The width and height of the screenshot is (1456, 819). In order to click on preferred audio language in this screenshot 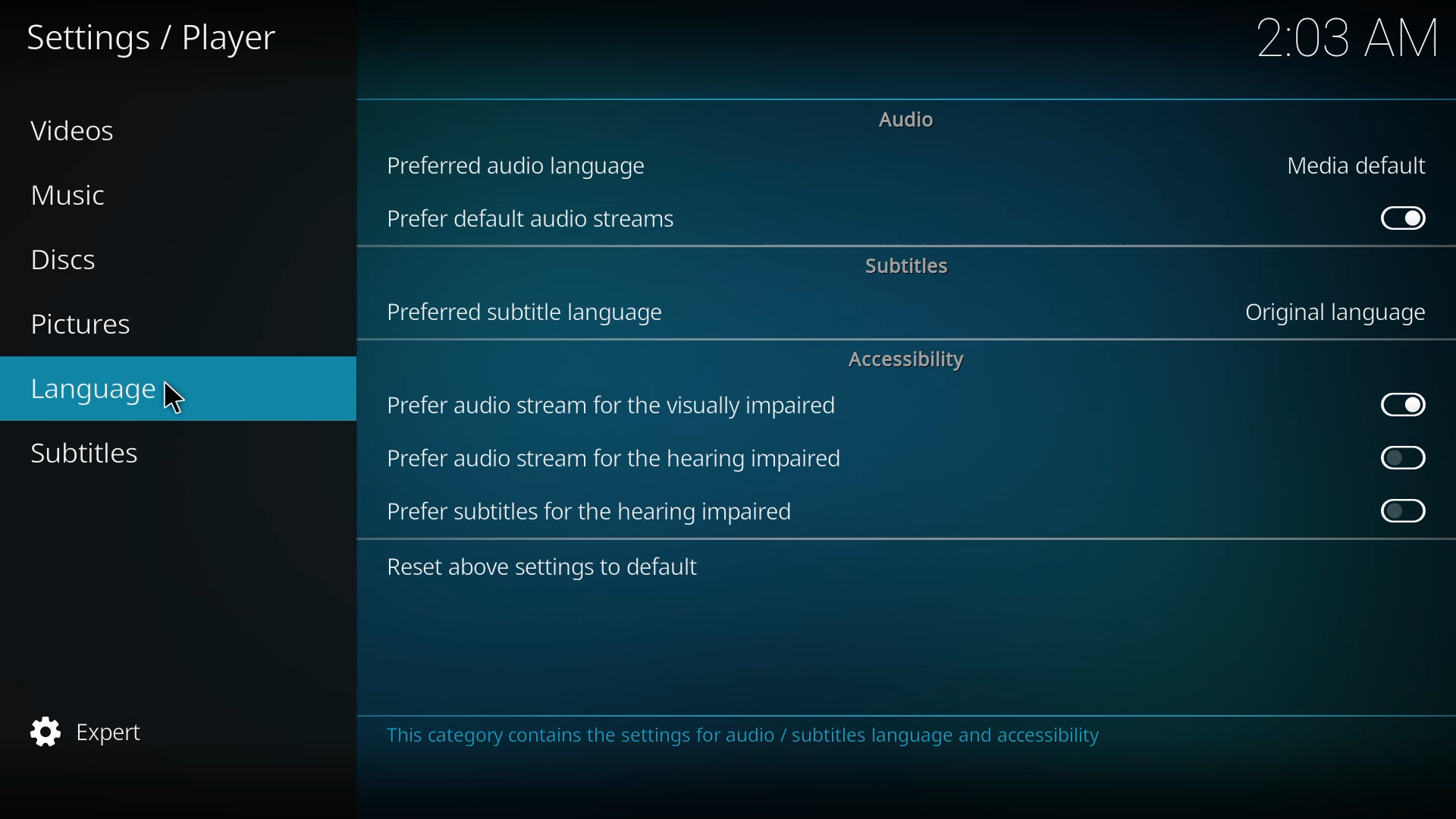, I will do `click(526, 163)`.